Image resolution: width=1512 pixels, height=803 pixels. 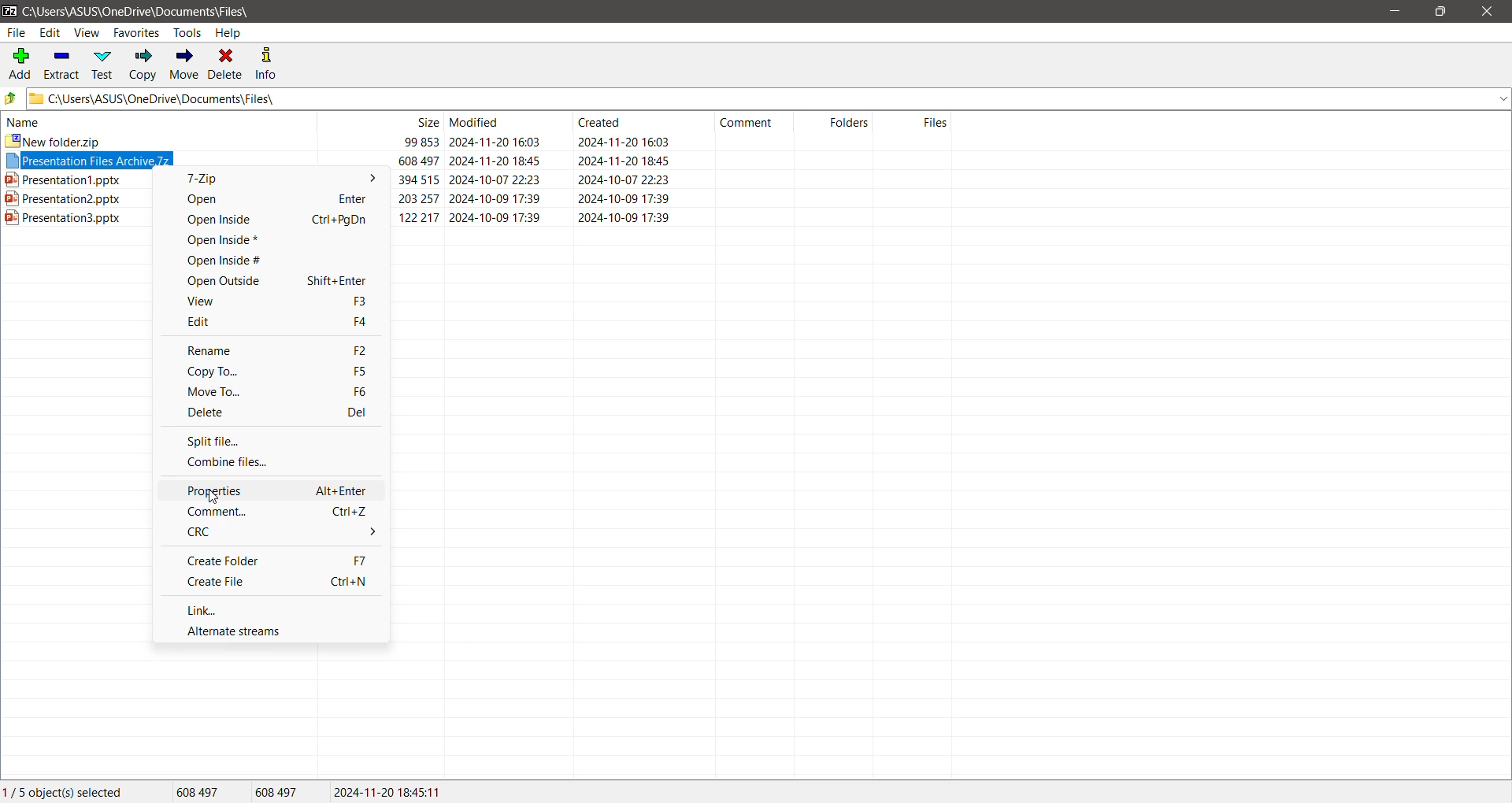 I want to click on Edit, so click(x=49, y=32).